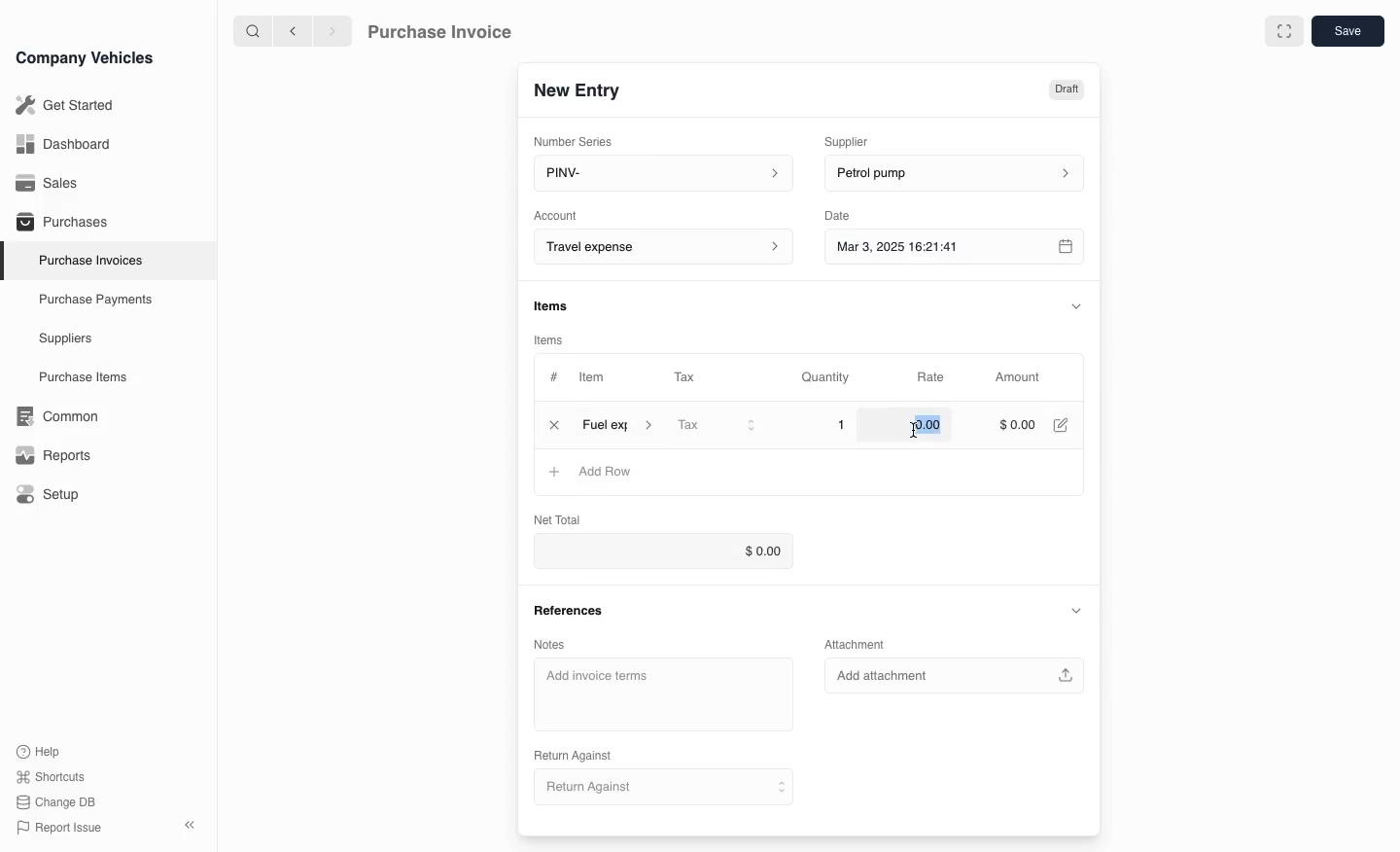 This screenshot has width=1400, height=852. Describe the element at coordinates (674, 552) in the screenshot. I see `$0.00` at that location.